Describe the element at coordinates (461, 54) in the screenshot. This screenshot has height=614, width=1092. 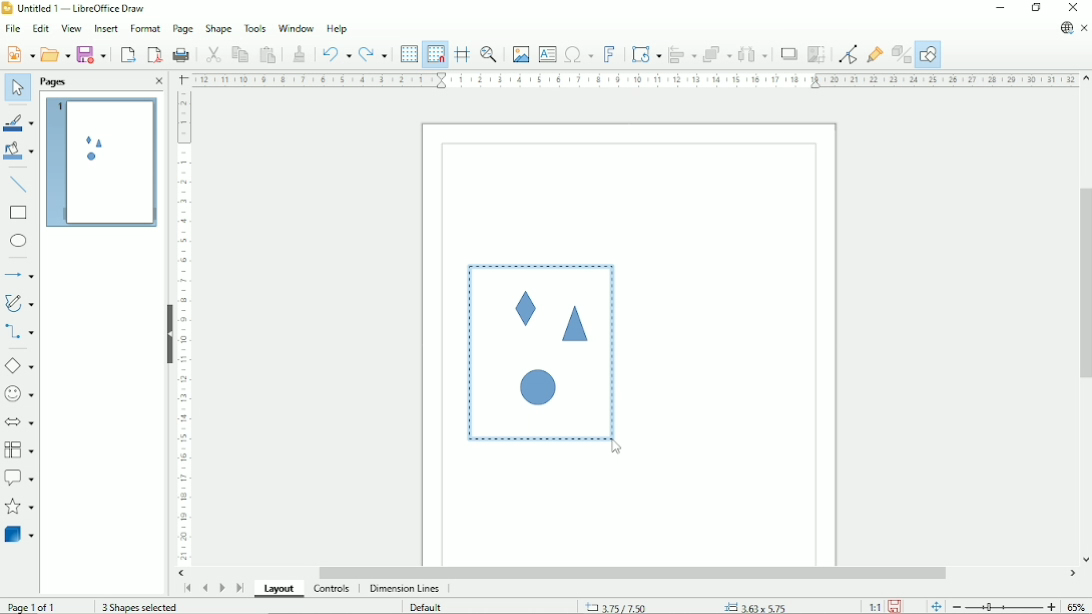
I see `Helplines while moving` at that location.